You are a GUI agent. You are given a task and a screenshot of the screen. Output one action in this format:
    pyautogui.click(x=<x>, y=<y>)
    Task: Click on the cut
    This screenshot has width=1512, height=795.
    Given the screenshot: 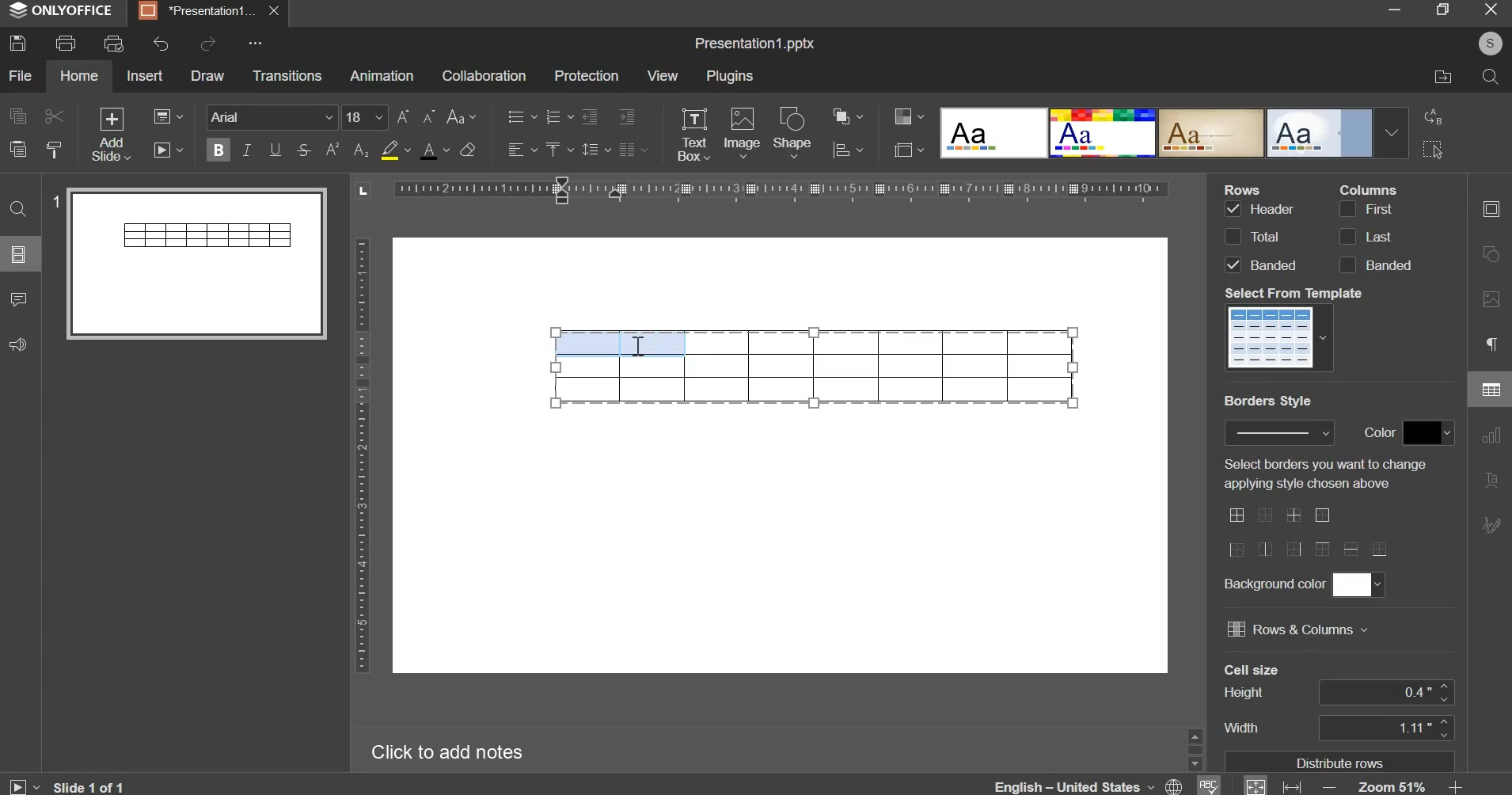 What is the action you would take?
    pyautogui.click(x=53, y=117)
    